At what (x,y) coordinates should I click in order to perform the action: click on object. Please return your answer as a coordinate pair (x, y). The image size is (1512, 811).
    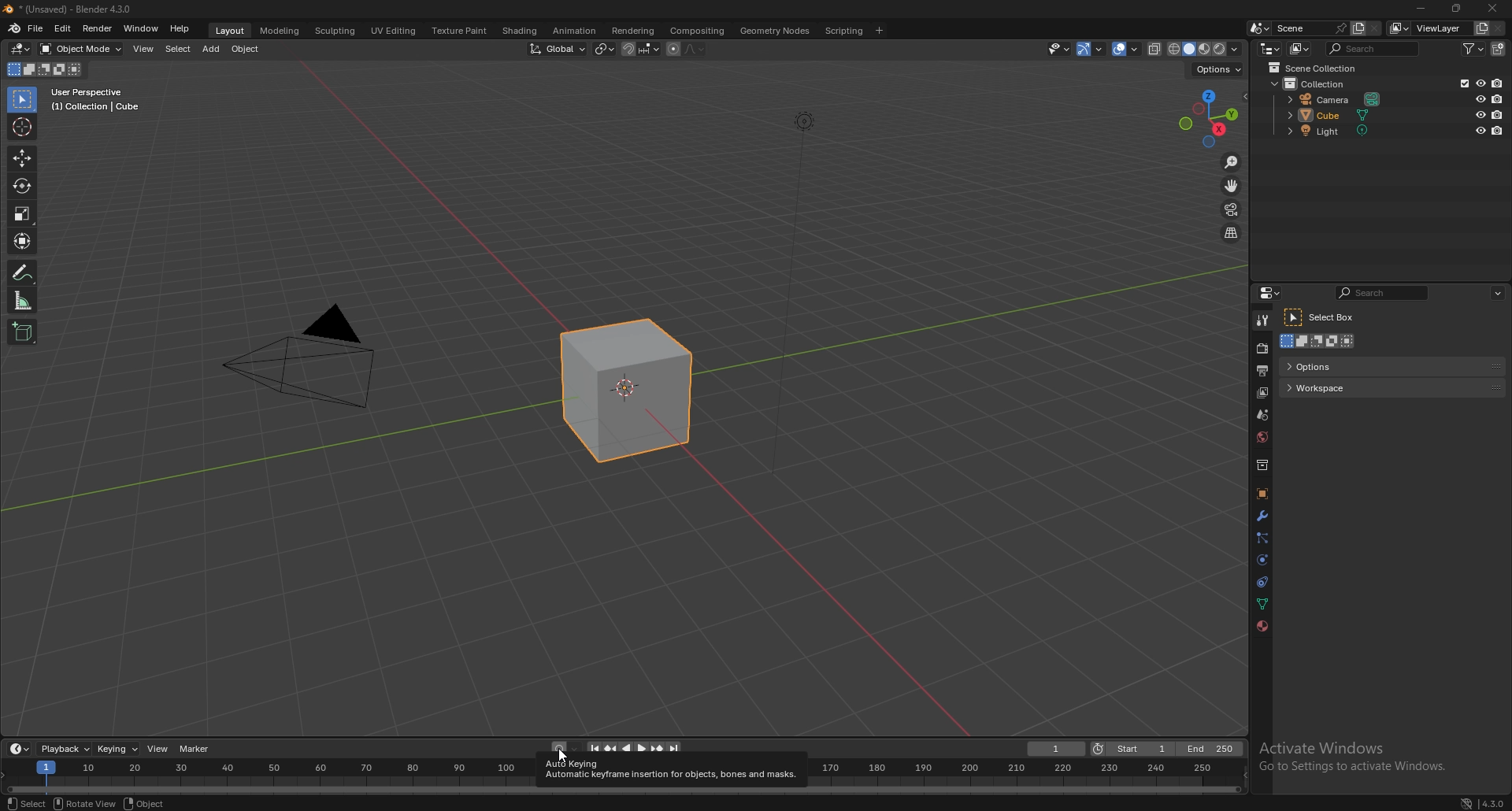
    Looking at the image, I should click on (246, 50).